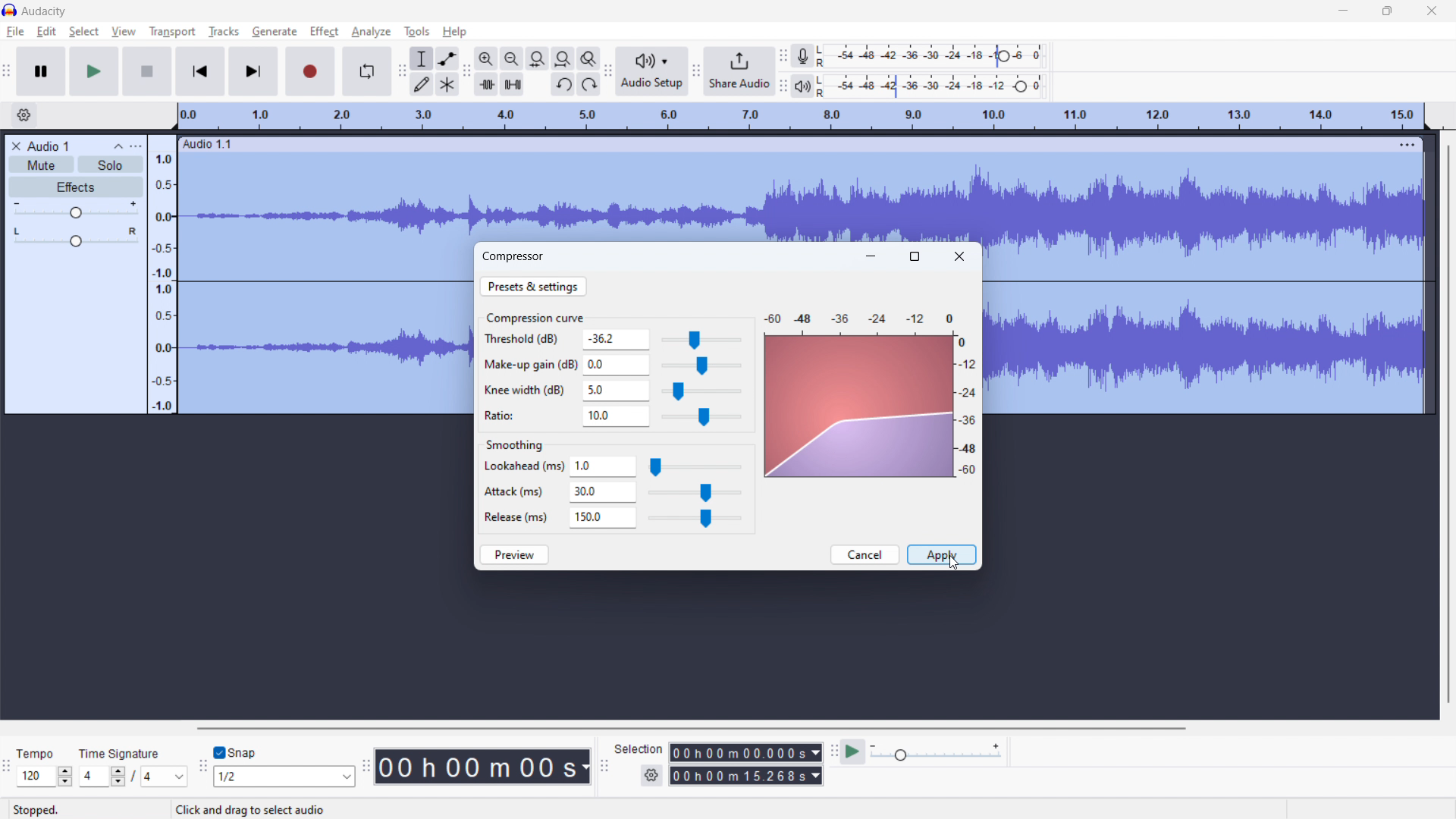 This screenshot has width=1456, height=819. Describe the element at coordinates (871, 256) in the screenshot. I see `minimize` at that location.